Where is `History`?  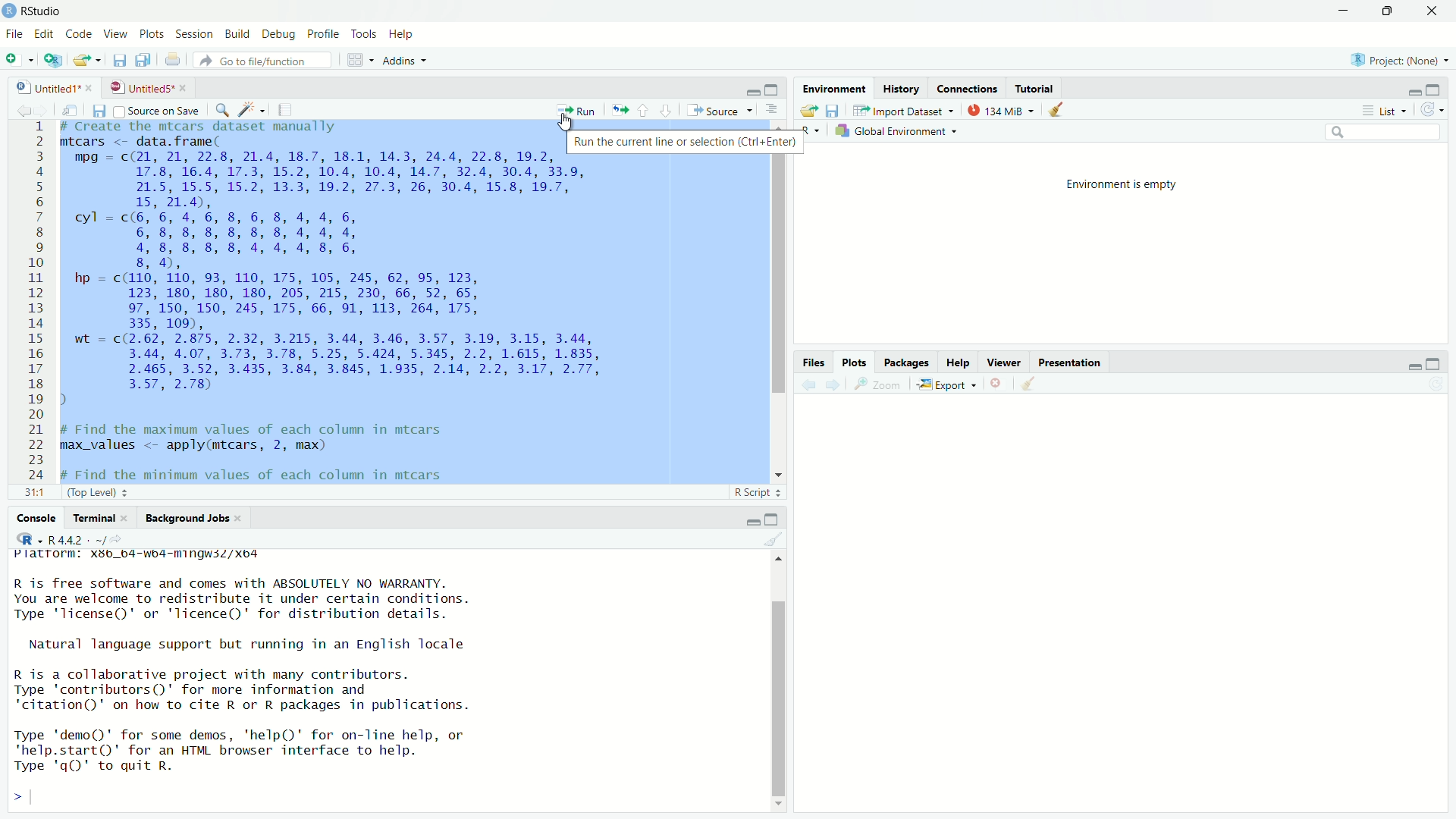 History is located at coordinates (905, 89).